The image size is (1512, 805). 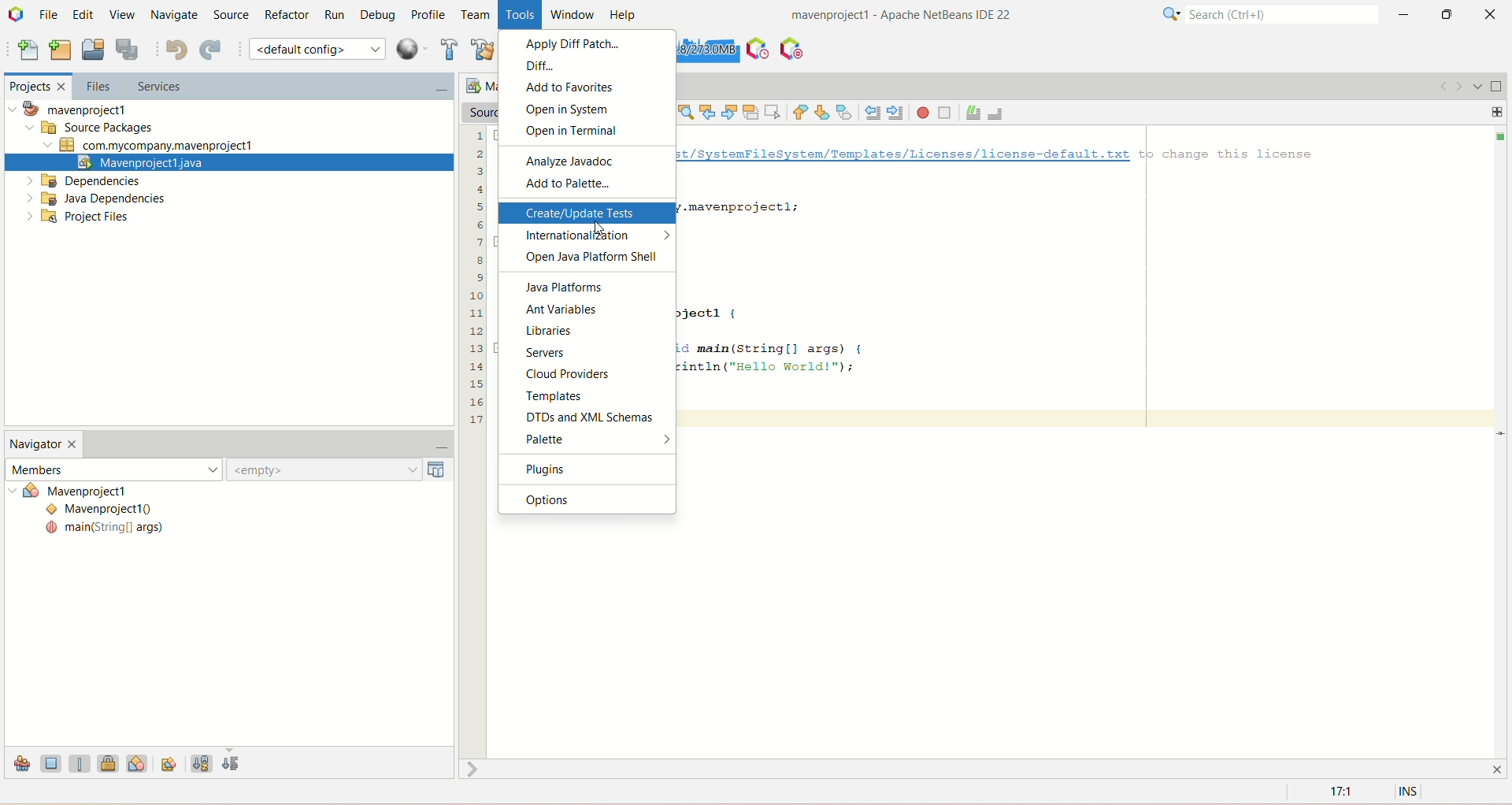 What do you see at coordinates (213, 51) in the screenshot?
I see `redo` at bounding box center [213, 51].